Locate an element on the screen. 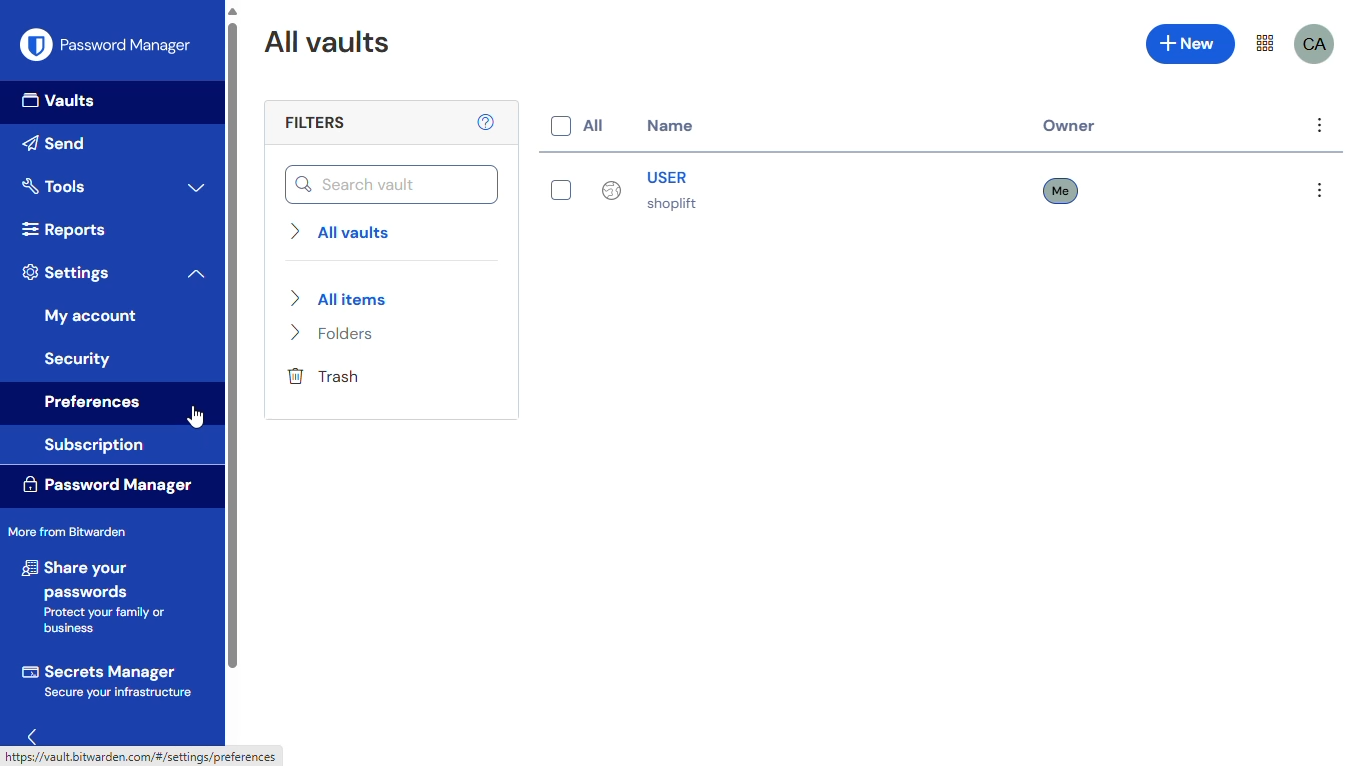 This screenshot has height=766, width=1366. toggle collapse is located at coordinates (196, 274).